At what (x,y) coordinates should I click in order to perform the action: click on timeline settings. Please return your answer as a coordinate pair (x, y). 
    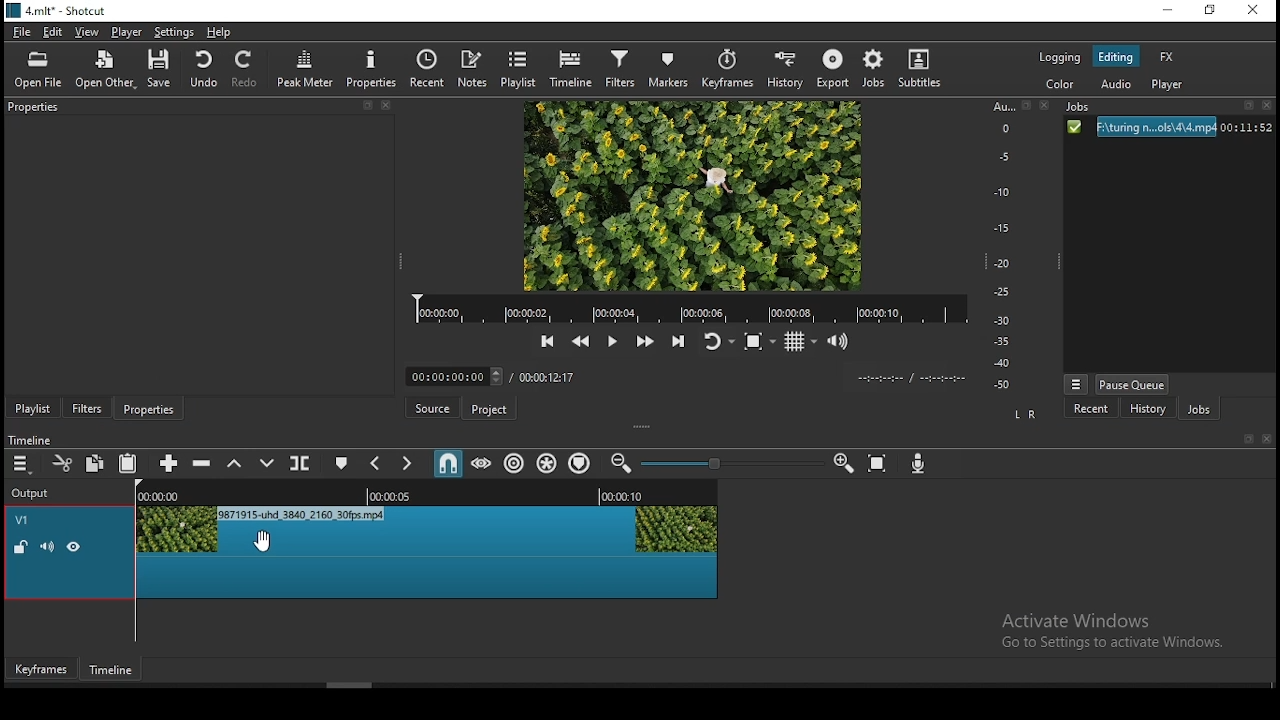
    Looking at the image, I should click on (23, 463).